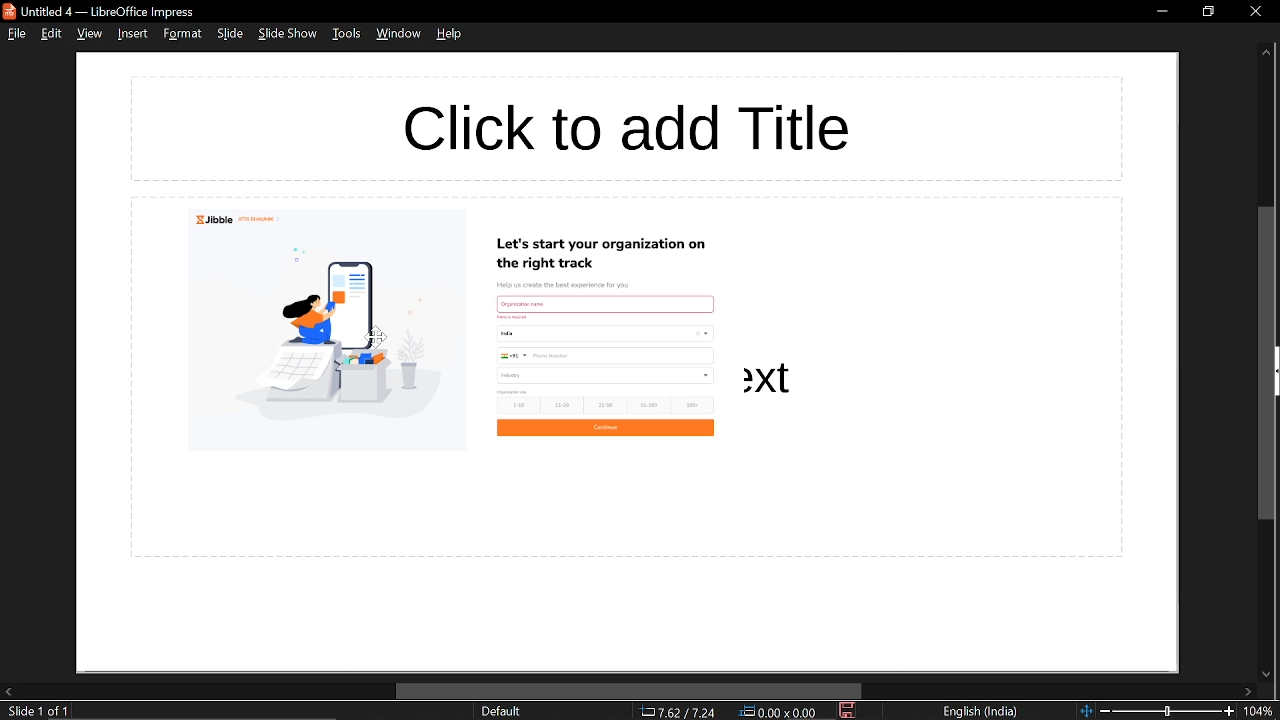 The width and height of the screenshot is (1280, 720). Describe the element at coordinates (781, 712) in the screenshot. I see `position` at that location.